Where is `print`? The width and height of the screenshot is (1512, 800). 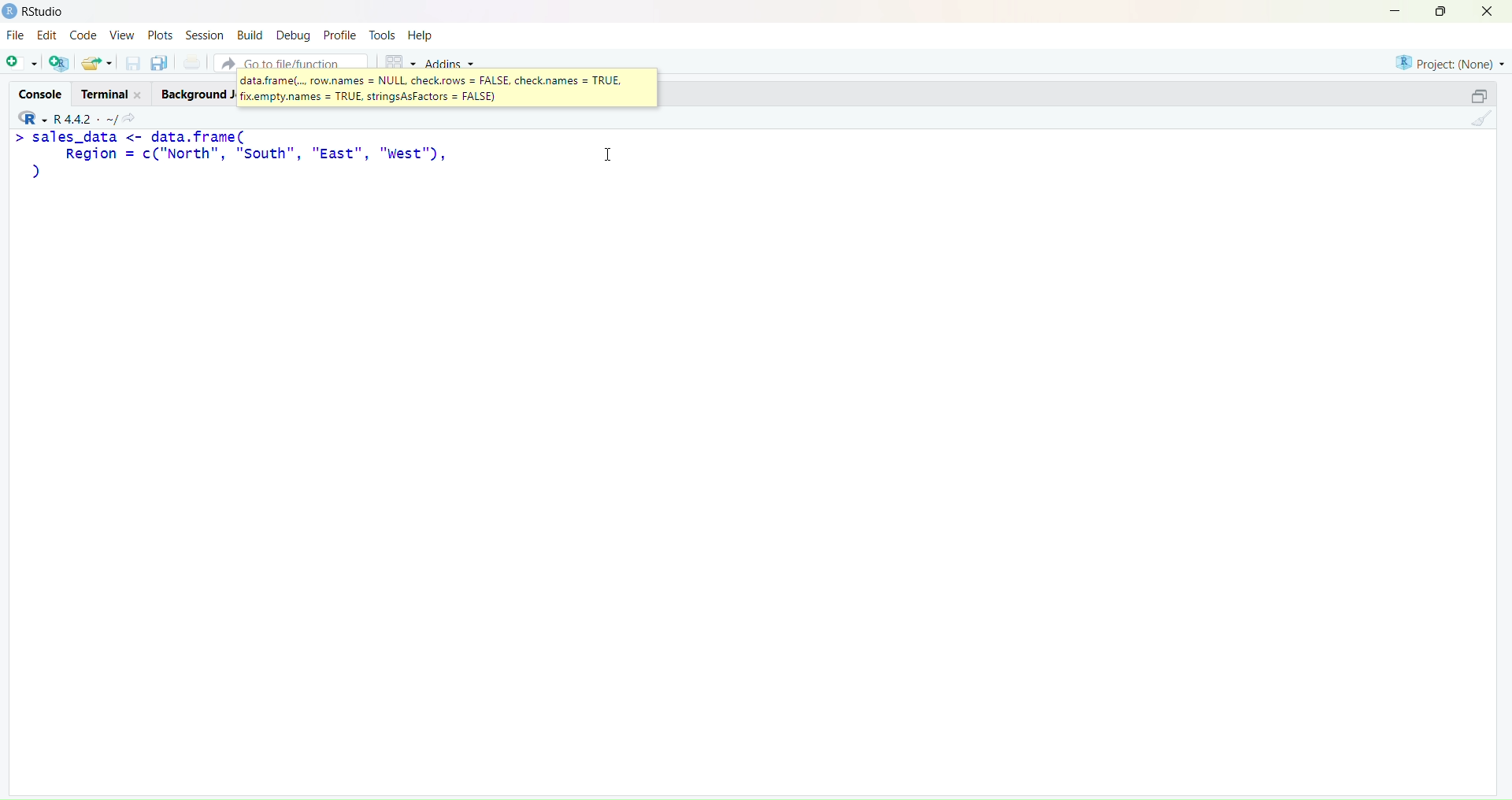
print is located at coordinates (192, 65).